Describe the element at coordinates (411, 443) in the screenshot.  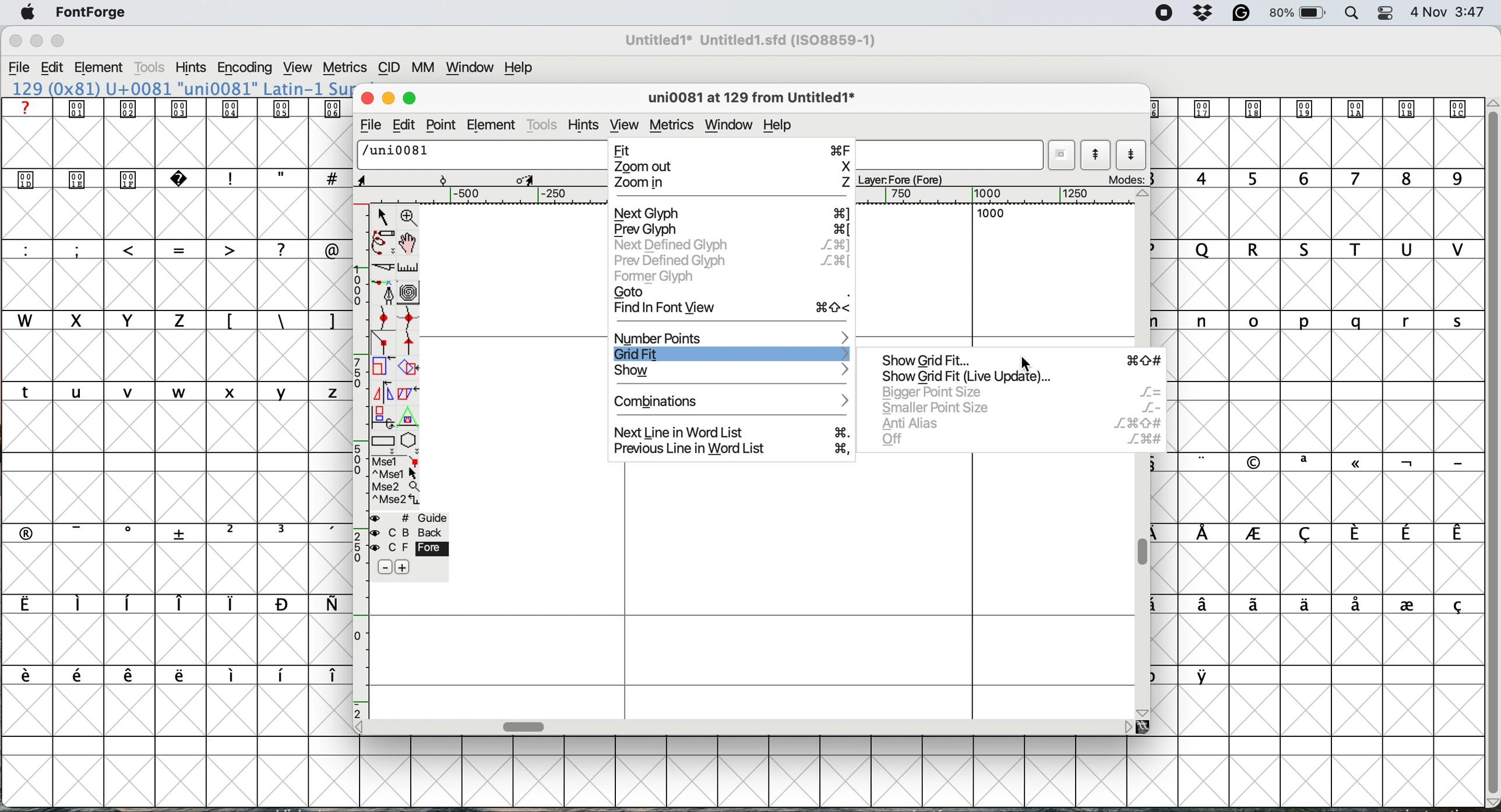
I see `stars and polygons` at that location.